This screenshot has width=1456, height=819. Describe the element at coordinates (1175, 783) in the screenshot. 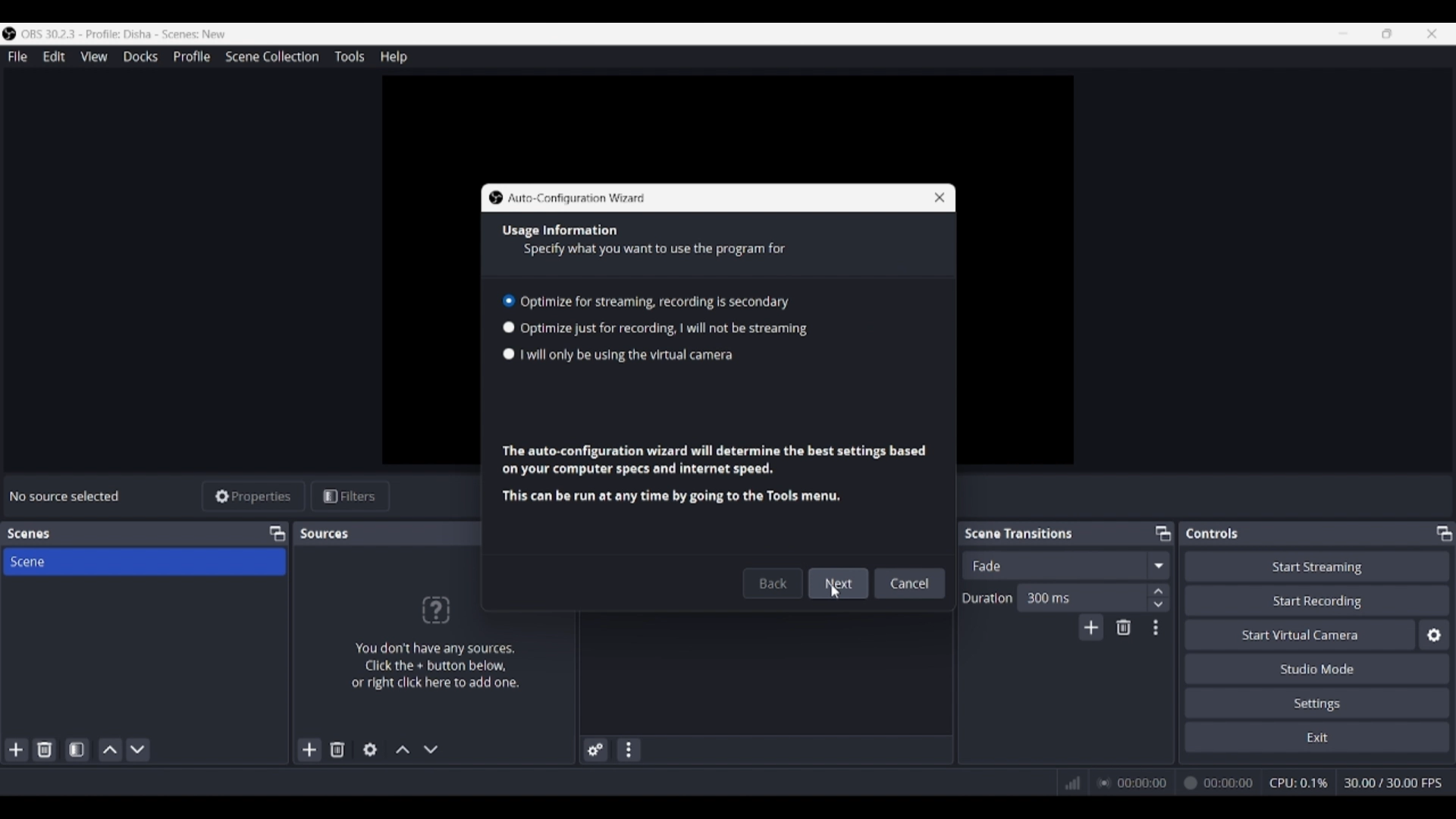

I see `Recording duration` at that location.